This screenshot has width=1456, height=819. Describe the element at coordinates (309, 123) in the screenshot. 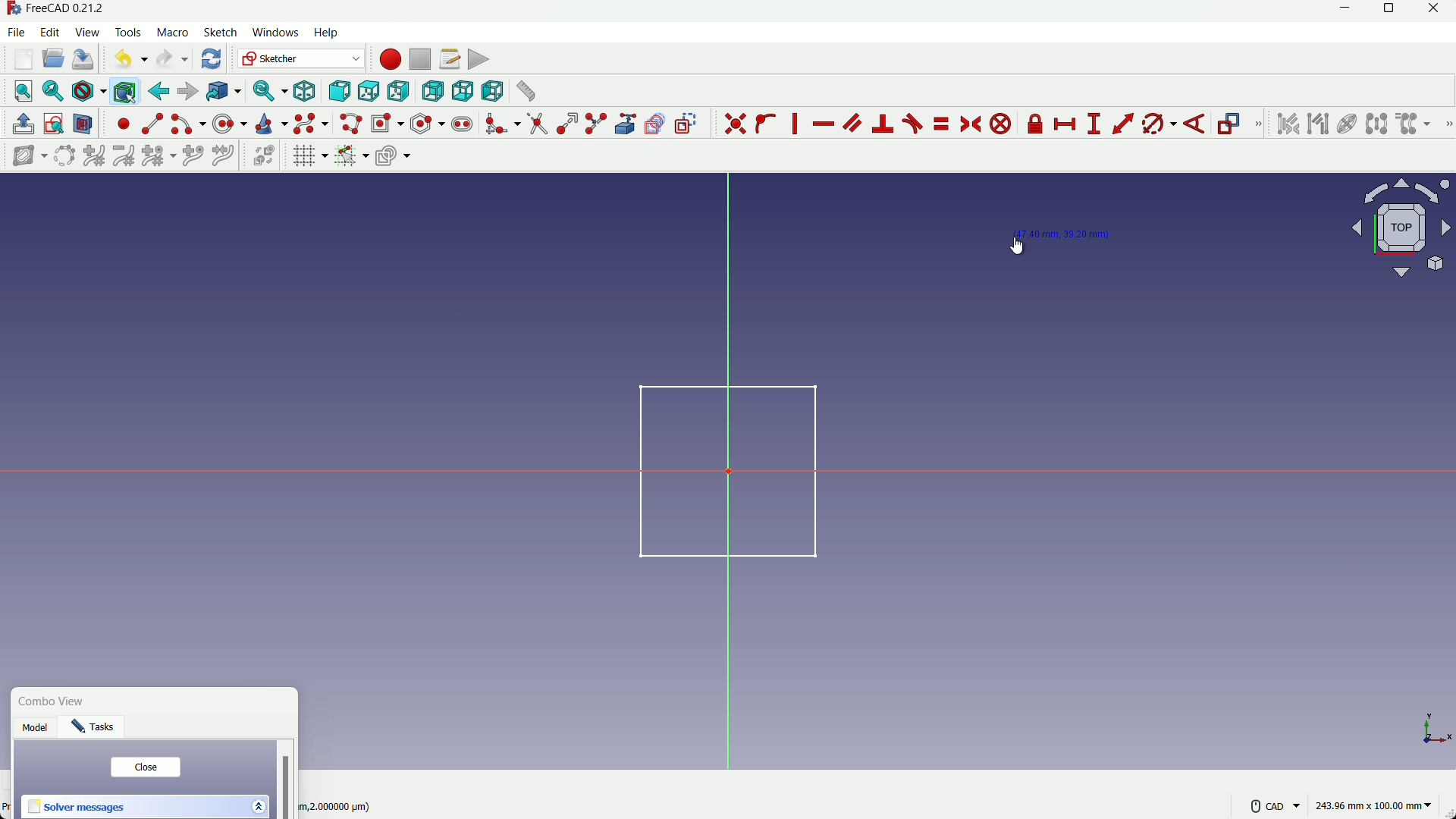

I see `create spiline` at that location.